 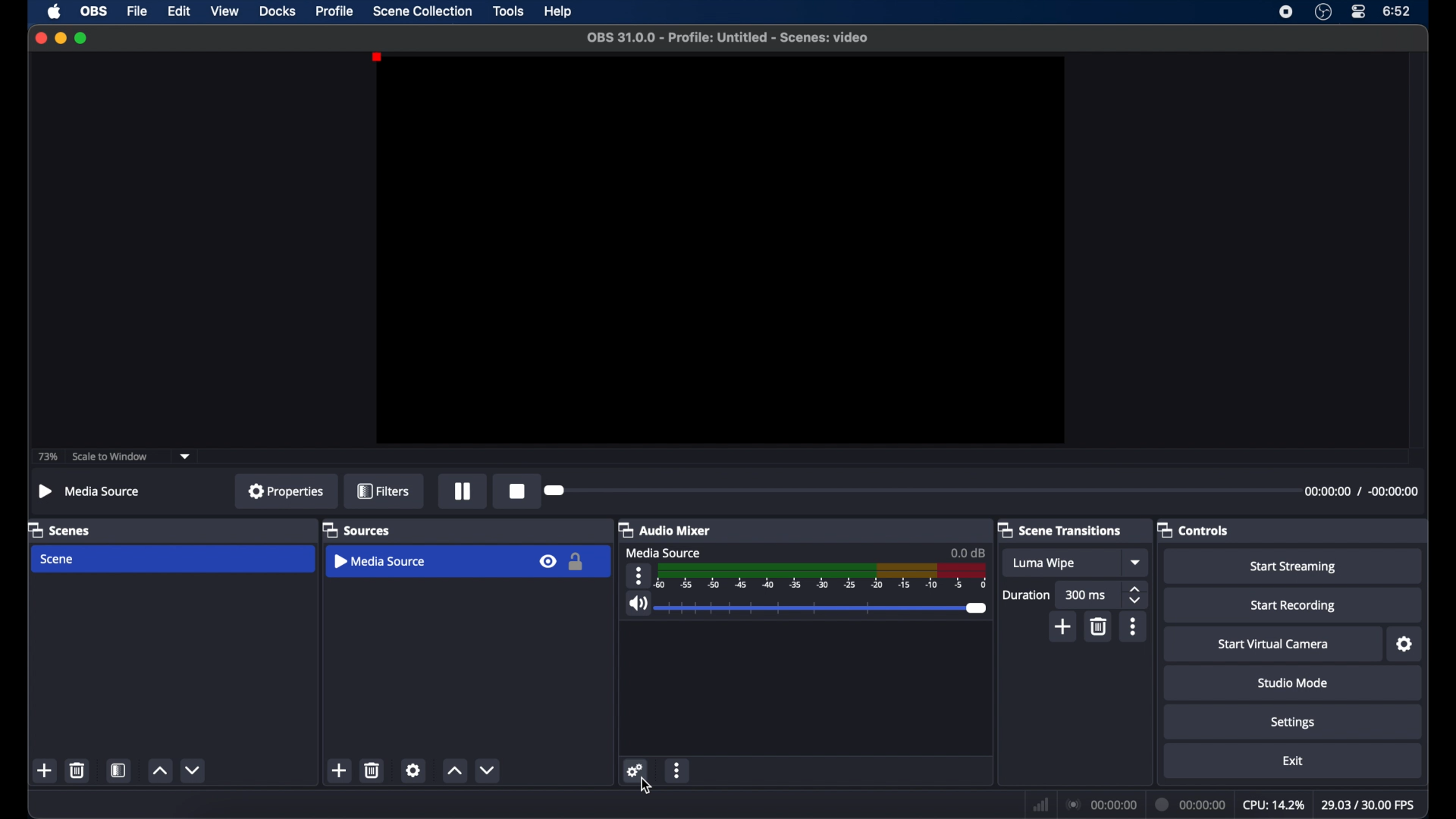 I want to click on fps, so click(x=1368, y=805).